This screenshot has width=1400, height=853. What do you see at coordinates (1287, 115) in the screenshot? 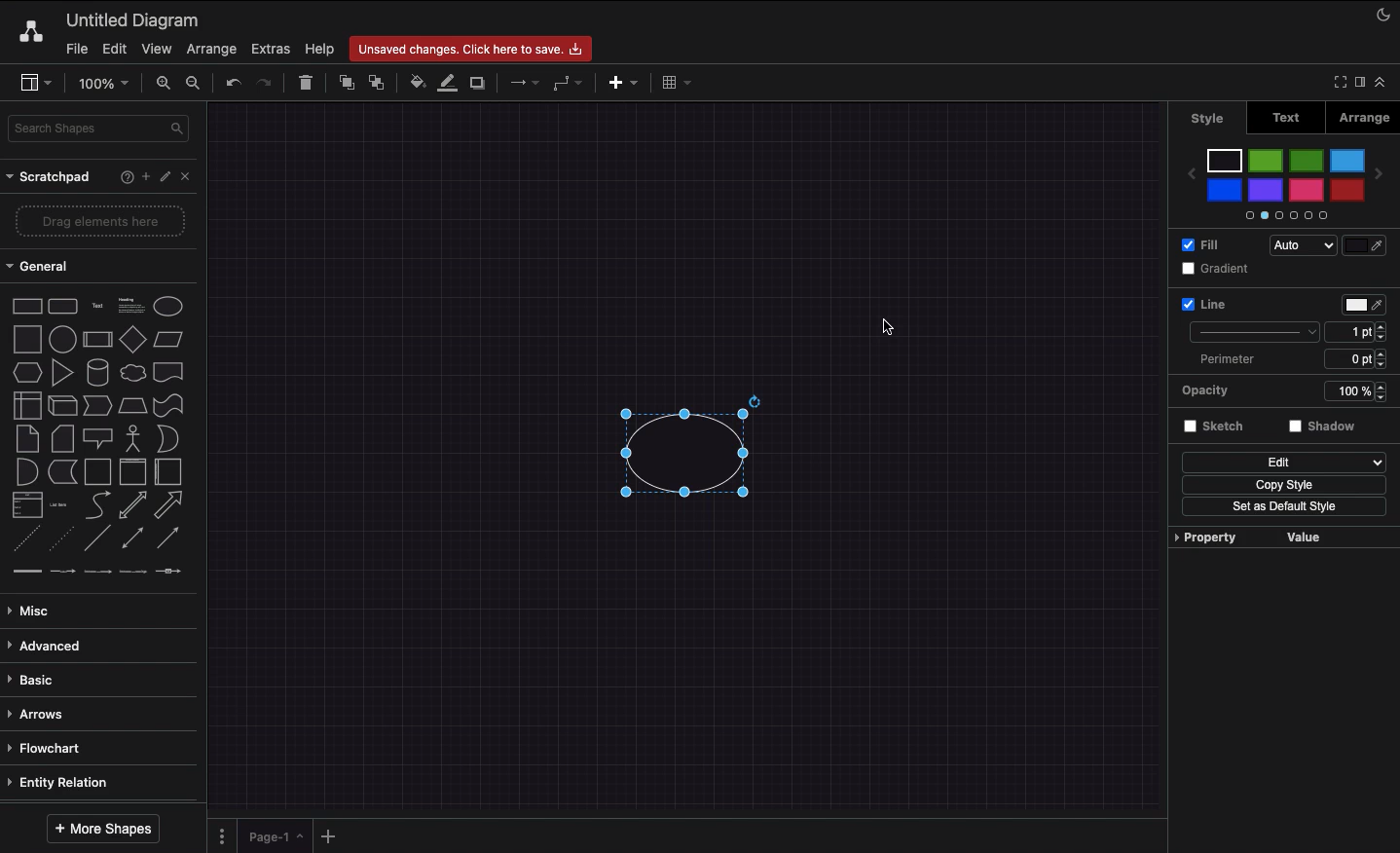
I see `Text` at bounding box center [1287, 115].